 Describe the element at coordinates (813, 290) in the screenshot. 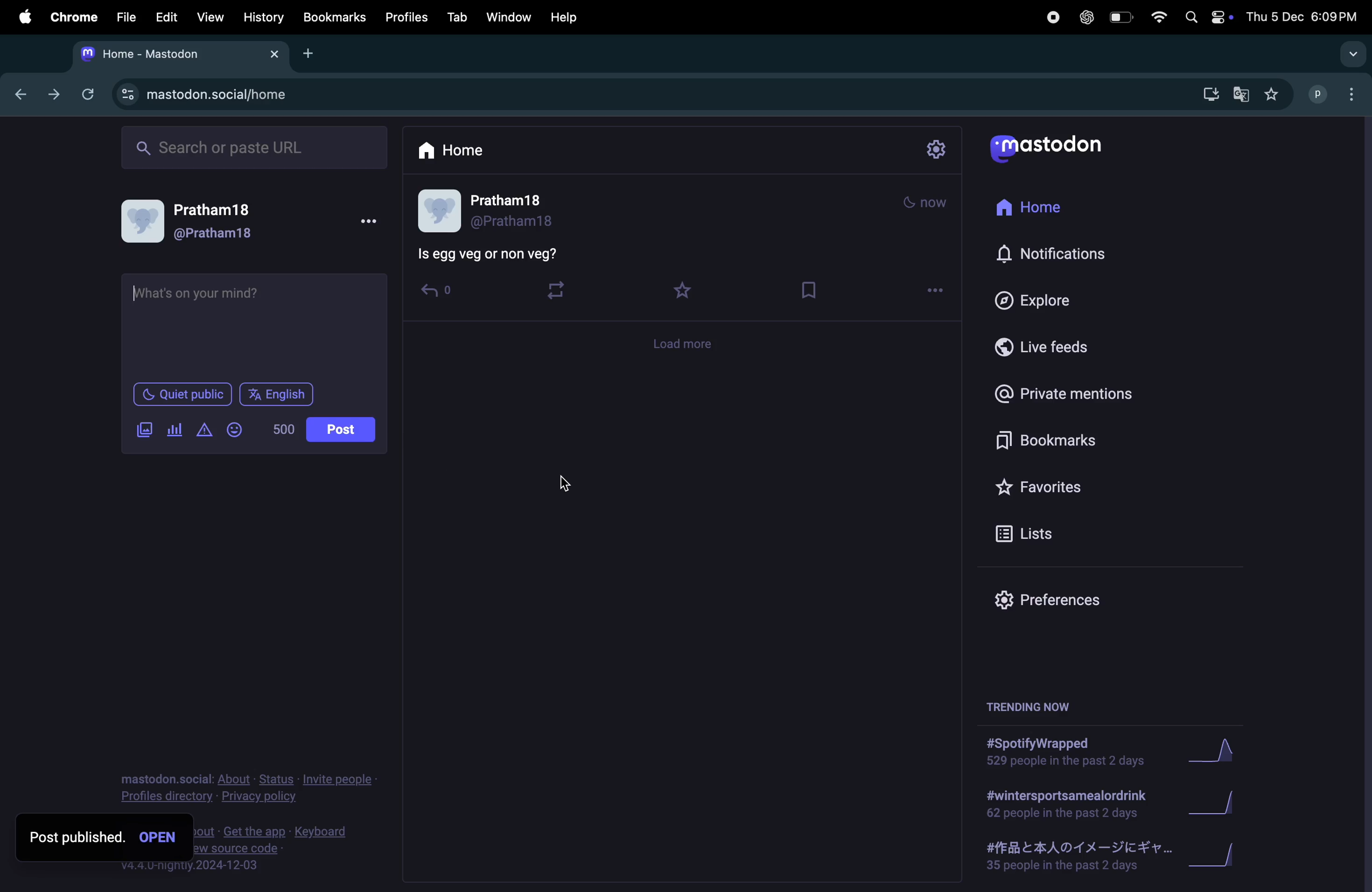

I see `book marks` at that location.